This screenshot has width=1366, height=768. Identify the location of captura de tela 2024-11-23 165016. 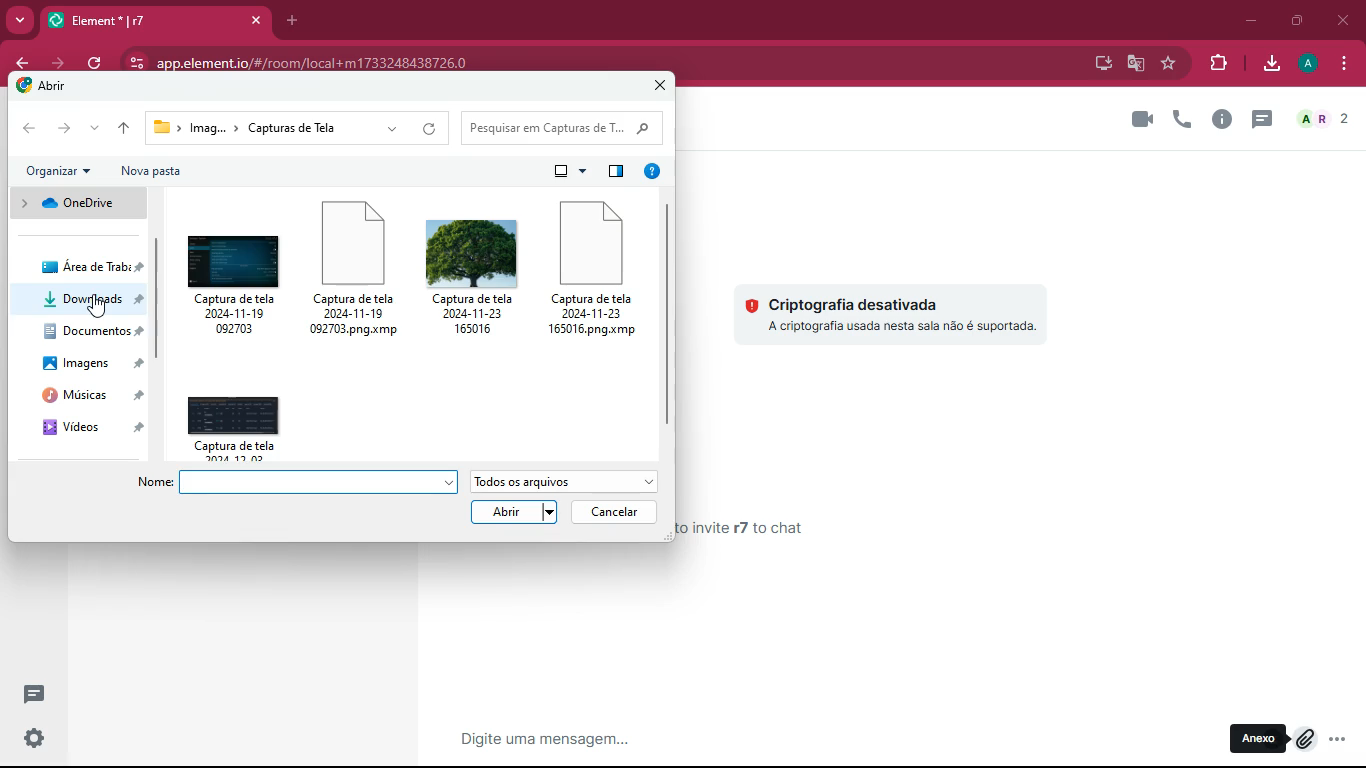
(477, 269).